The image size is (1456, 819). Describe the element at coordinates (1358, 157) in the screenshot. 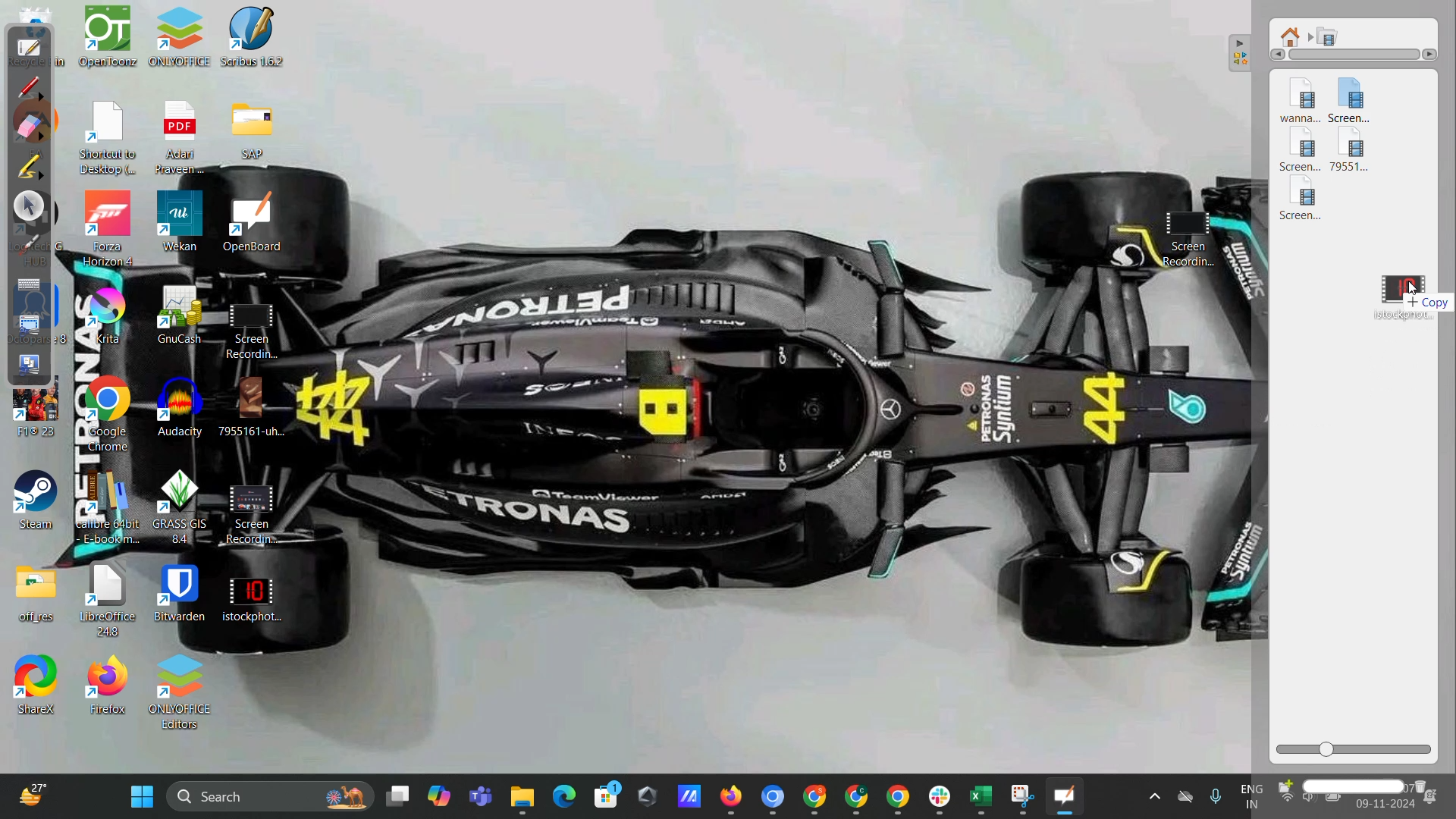

I see `video 4` at that location.